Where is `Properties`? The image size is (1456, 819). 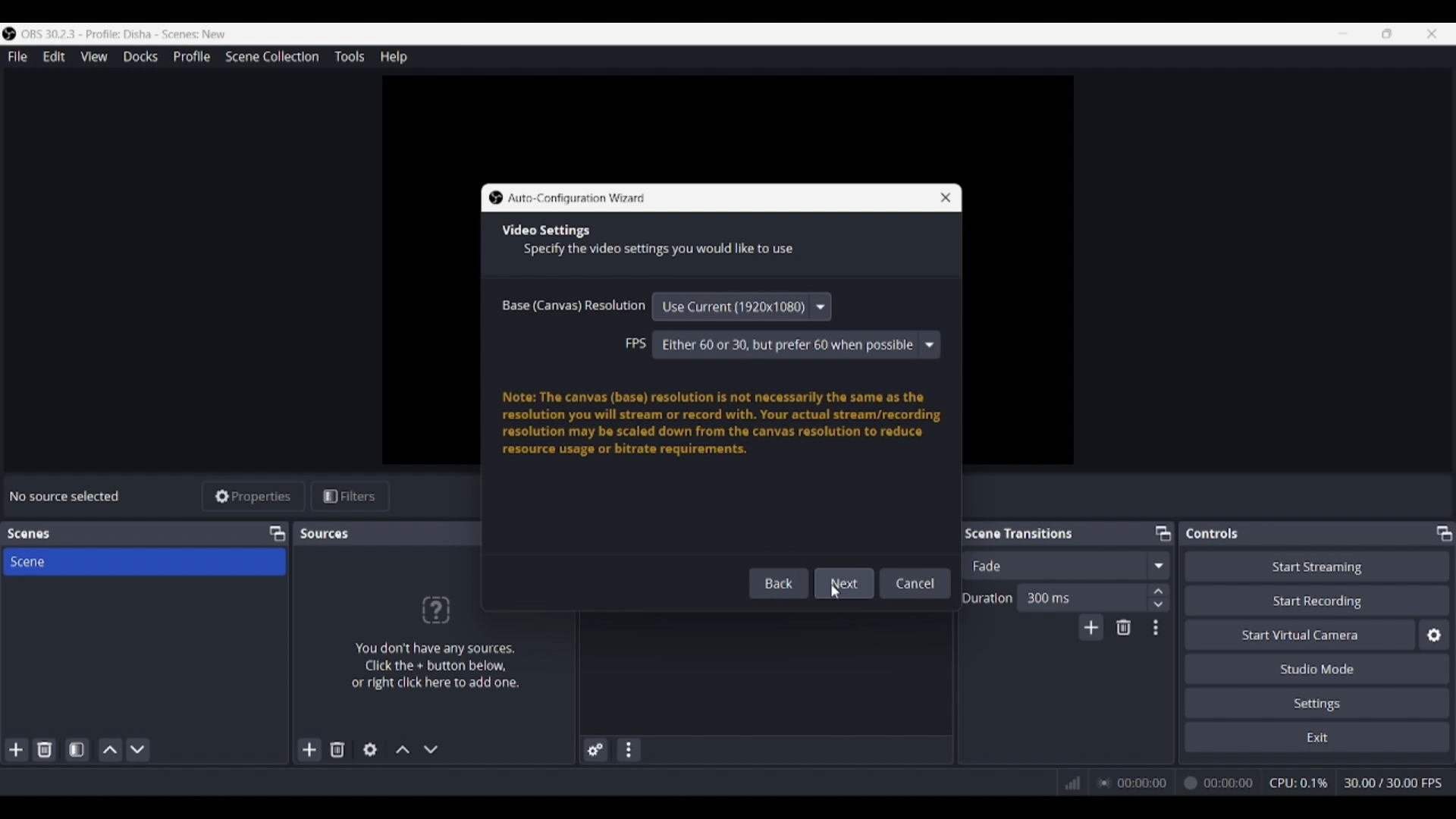 Properties is located at coordinates (254, 497).